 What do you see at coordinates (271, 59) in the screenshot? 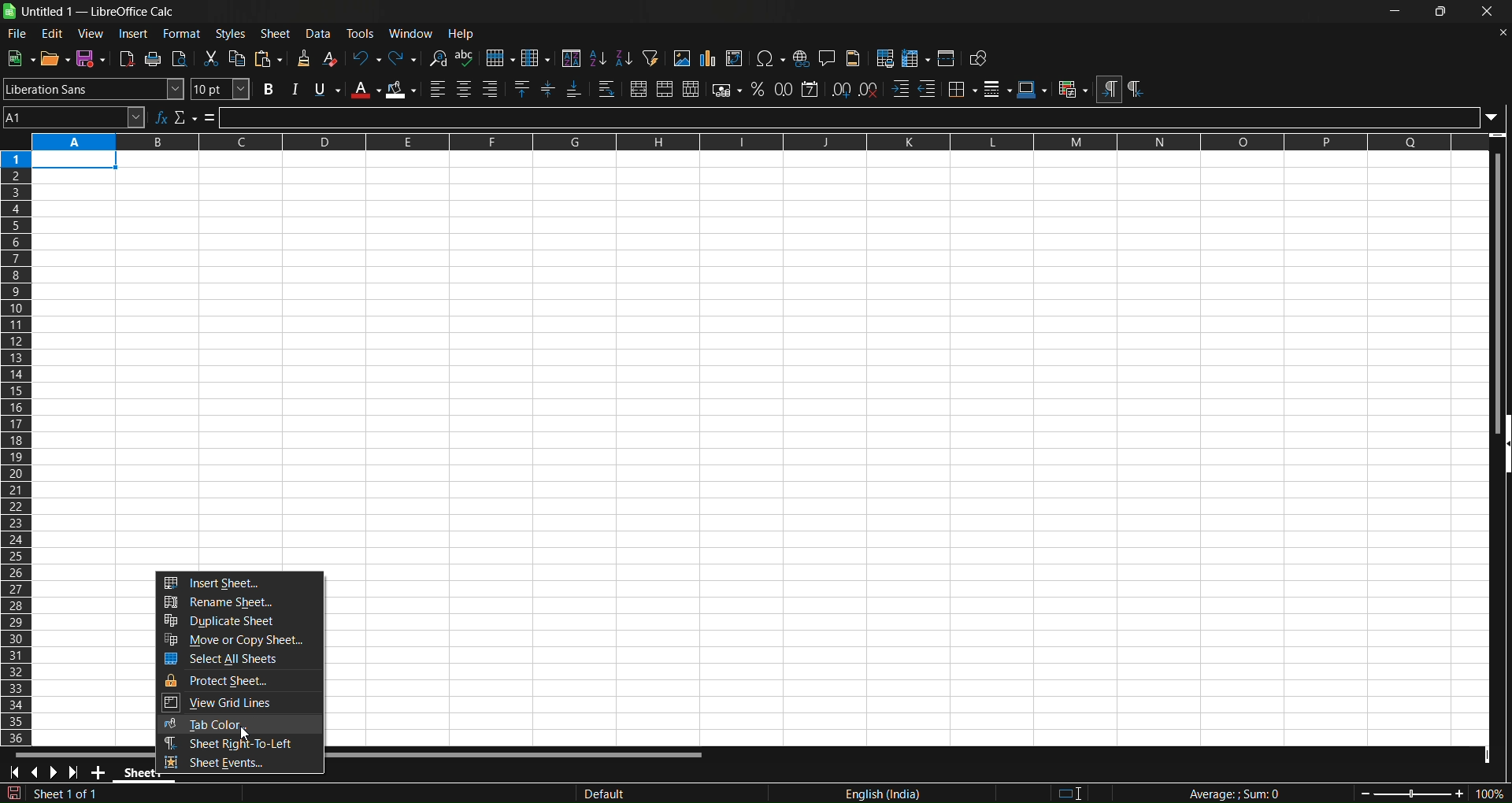
I see `paste` at bounding box center [271, 59].